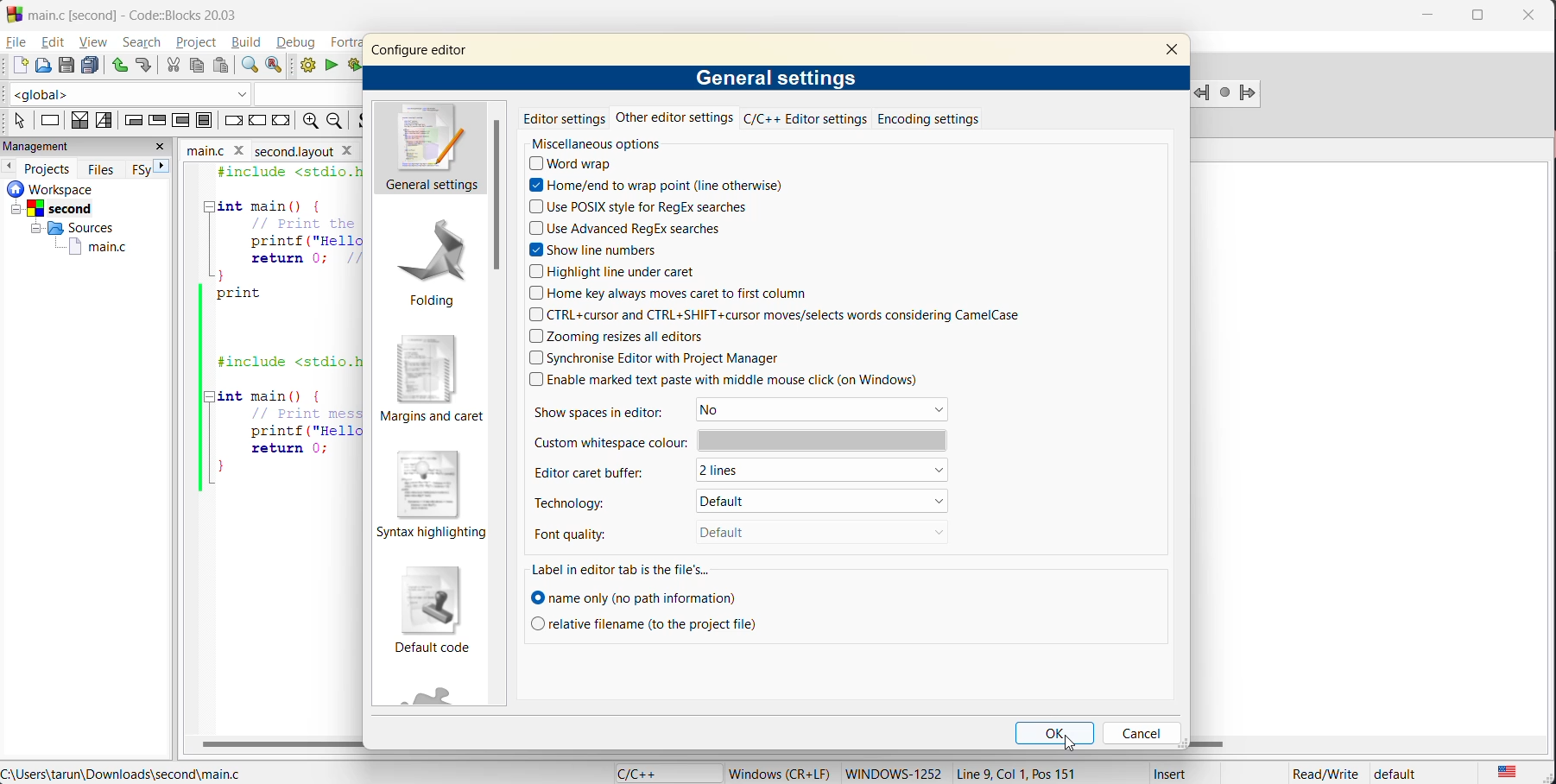 This screenshot has width=1556, height=784. I want to click on maximize, so click(1483, 18).